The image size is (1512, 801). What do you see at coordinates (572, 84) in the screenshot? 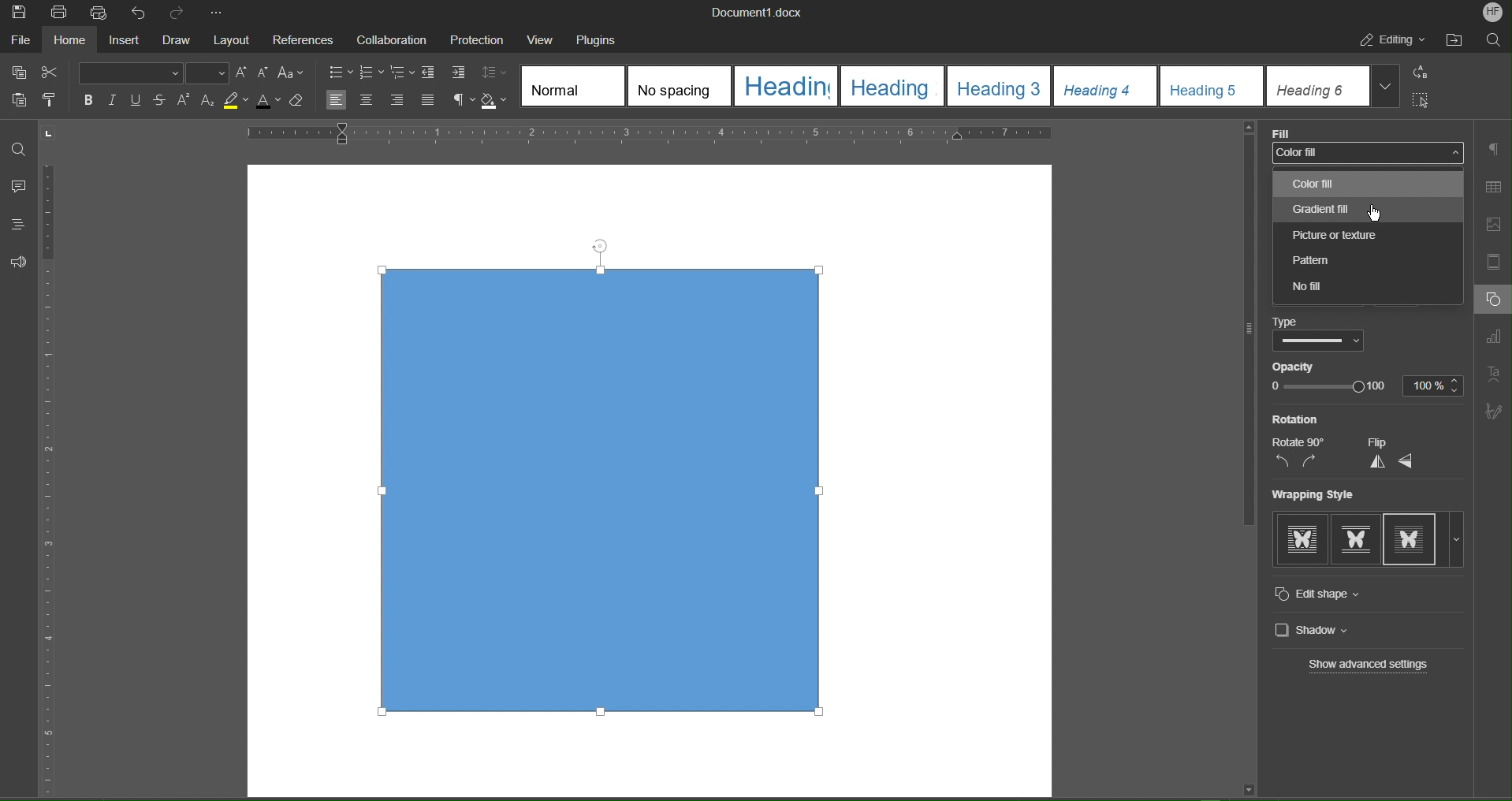
I see `Normal` at bounding box center [572, 84].